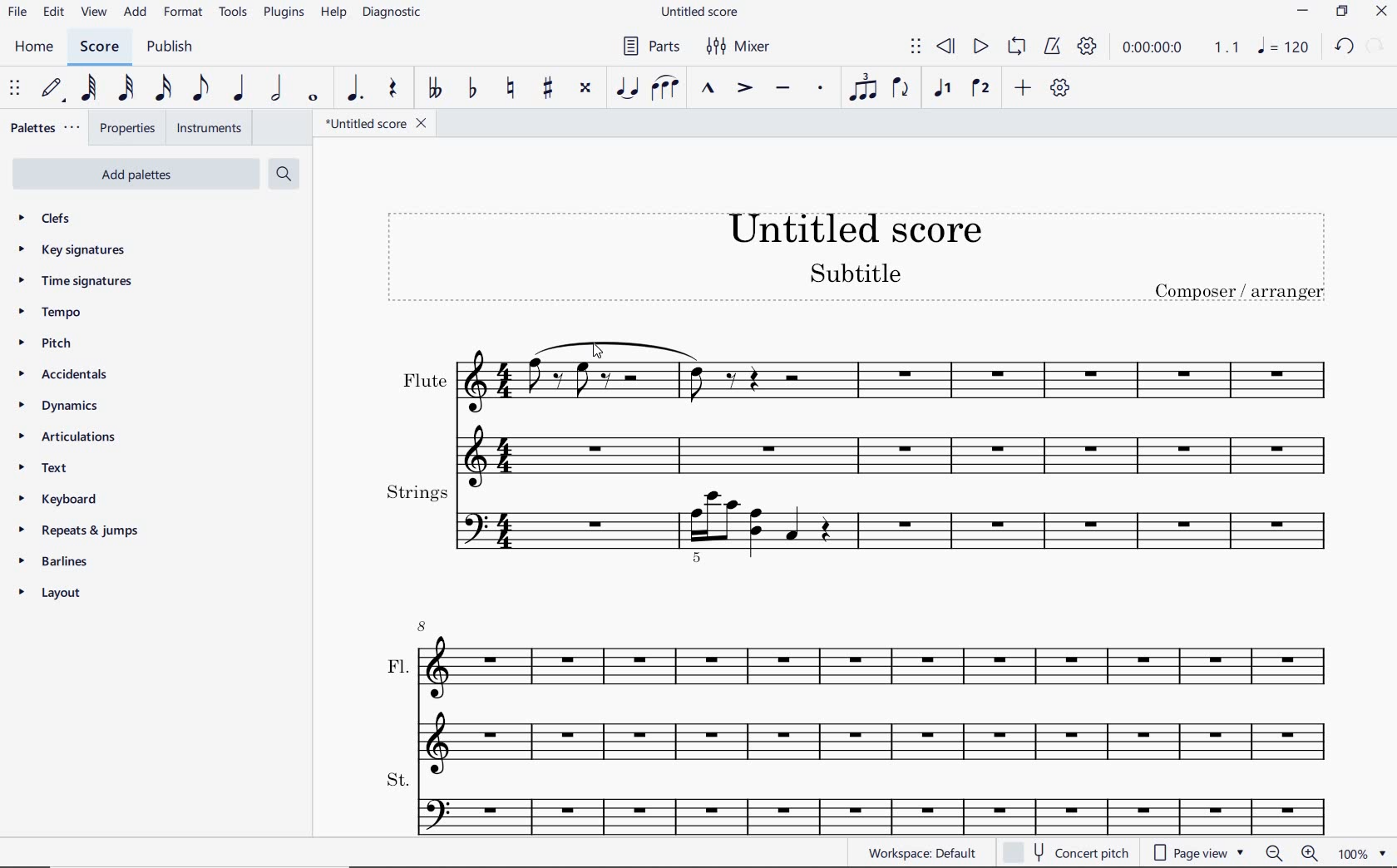 This screenshot has width=1397, height=868. What do you see at coordinates (56, 406) in the screenshot?
I see `dynamics` at bounding box center [56, 406].